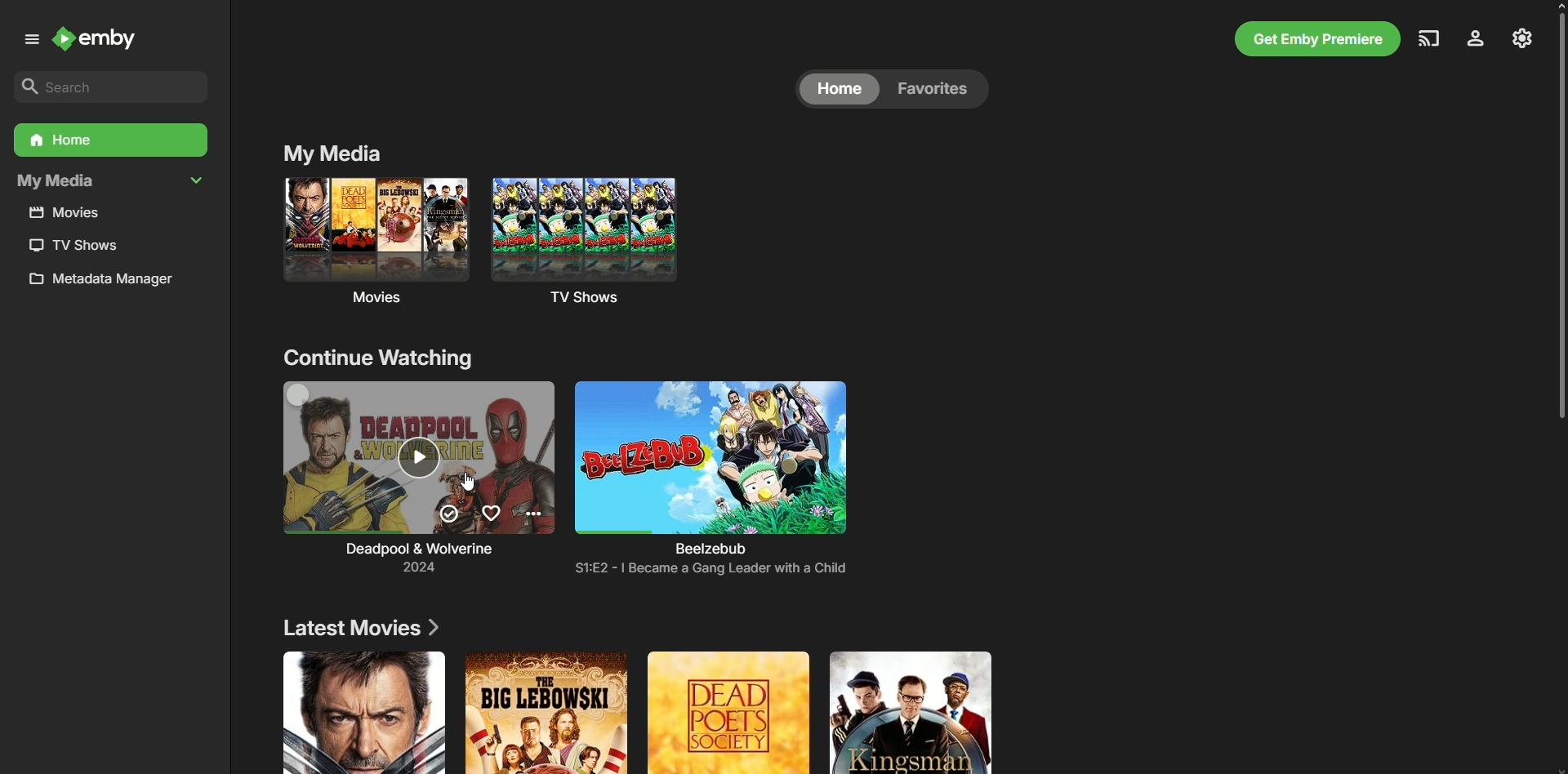 Image resolution: width=1568 pixels, height=774 pixels. Describe the element at coordinates (1427, 38) in the screenshot. I see `Cast` at that location.